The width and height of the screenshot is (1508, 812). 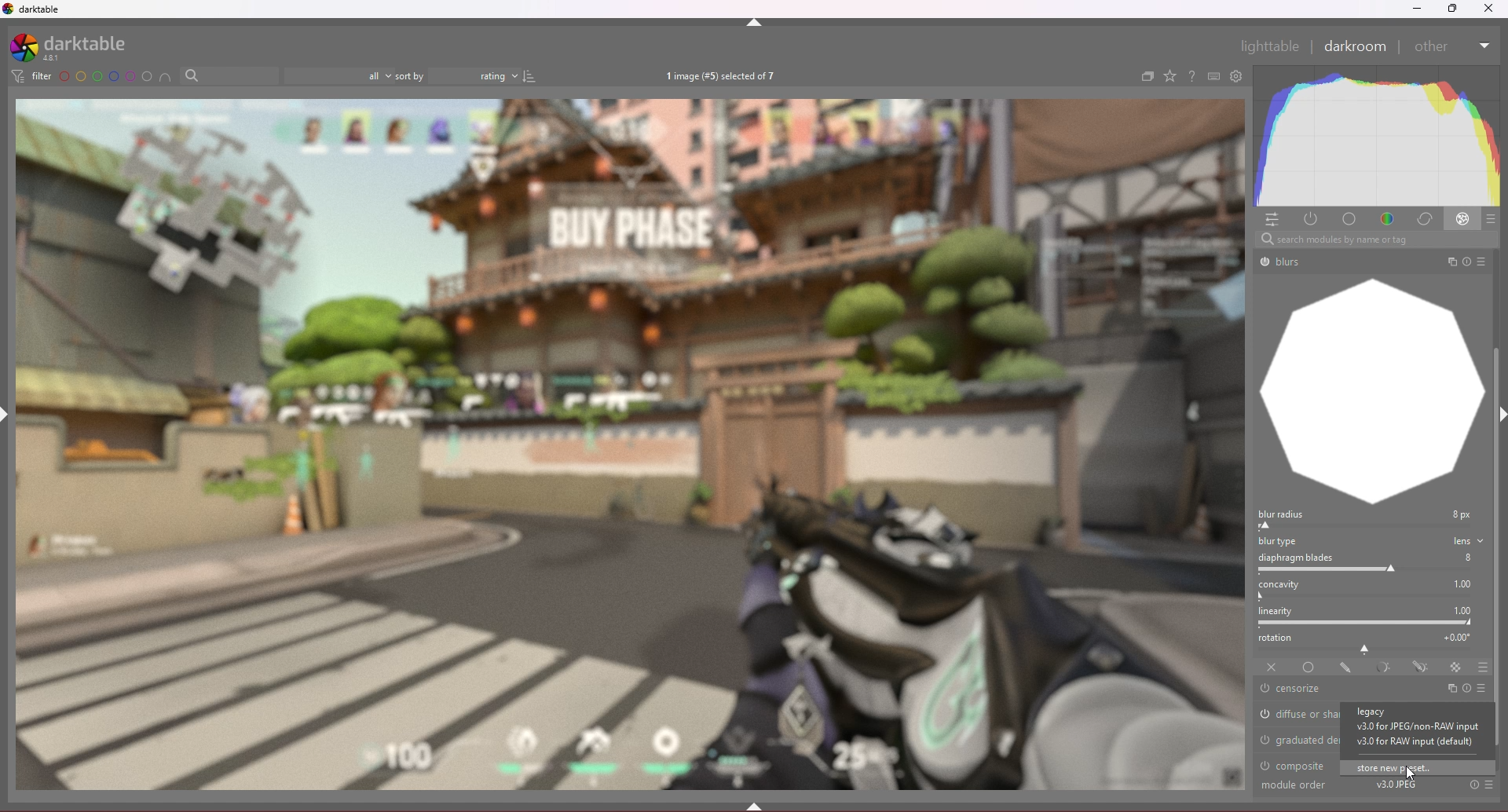 What do you see at coordinates (1147, 76) in the screenshot?
I see `create group` at bounding box center [1147, 76].